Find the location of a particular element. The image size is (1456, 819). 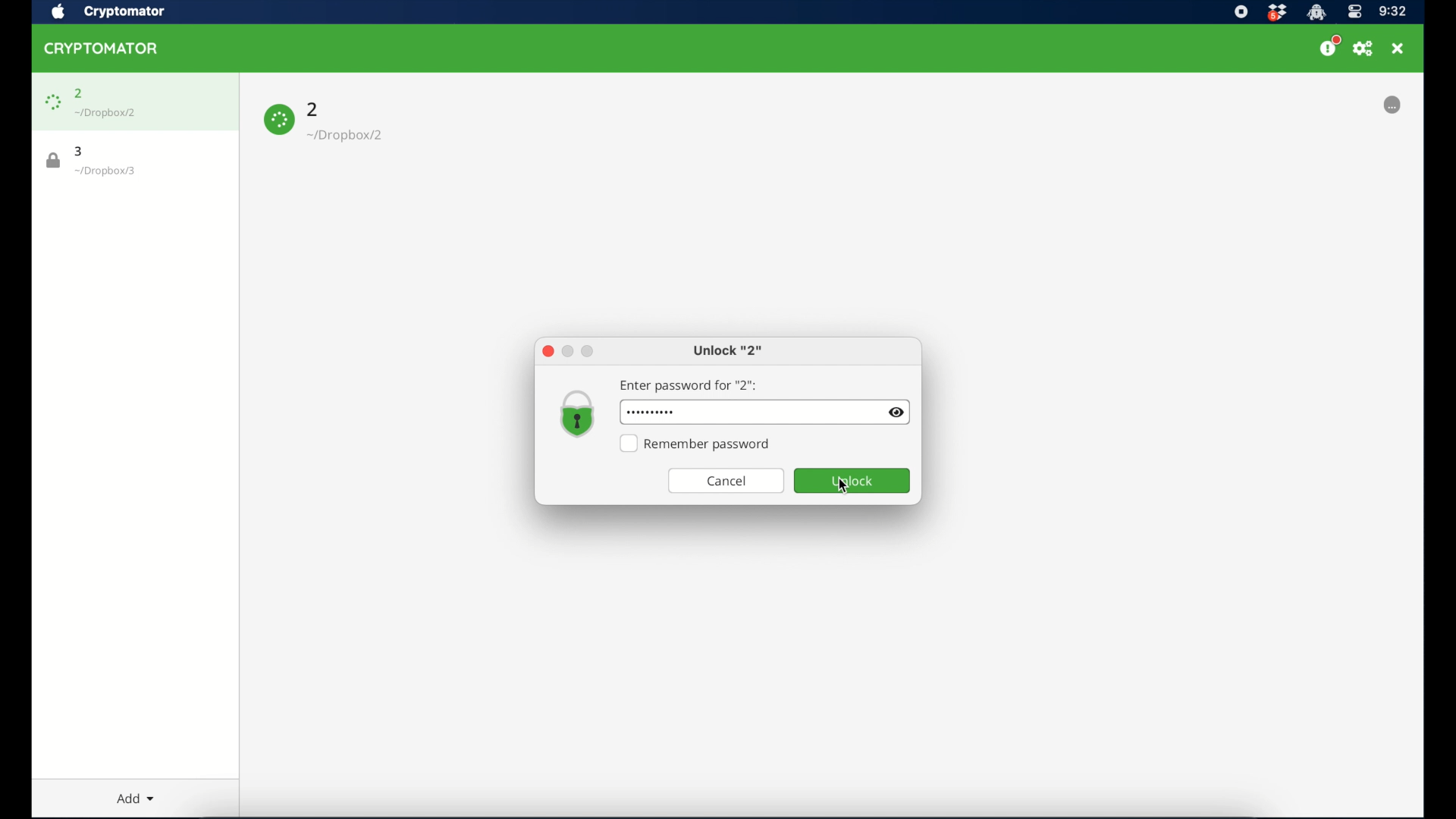

unlock 2 is located at coordinates (729, 351).